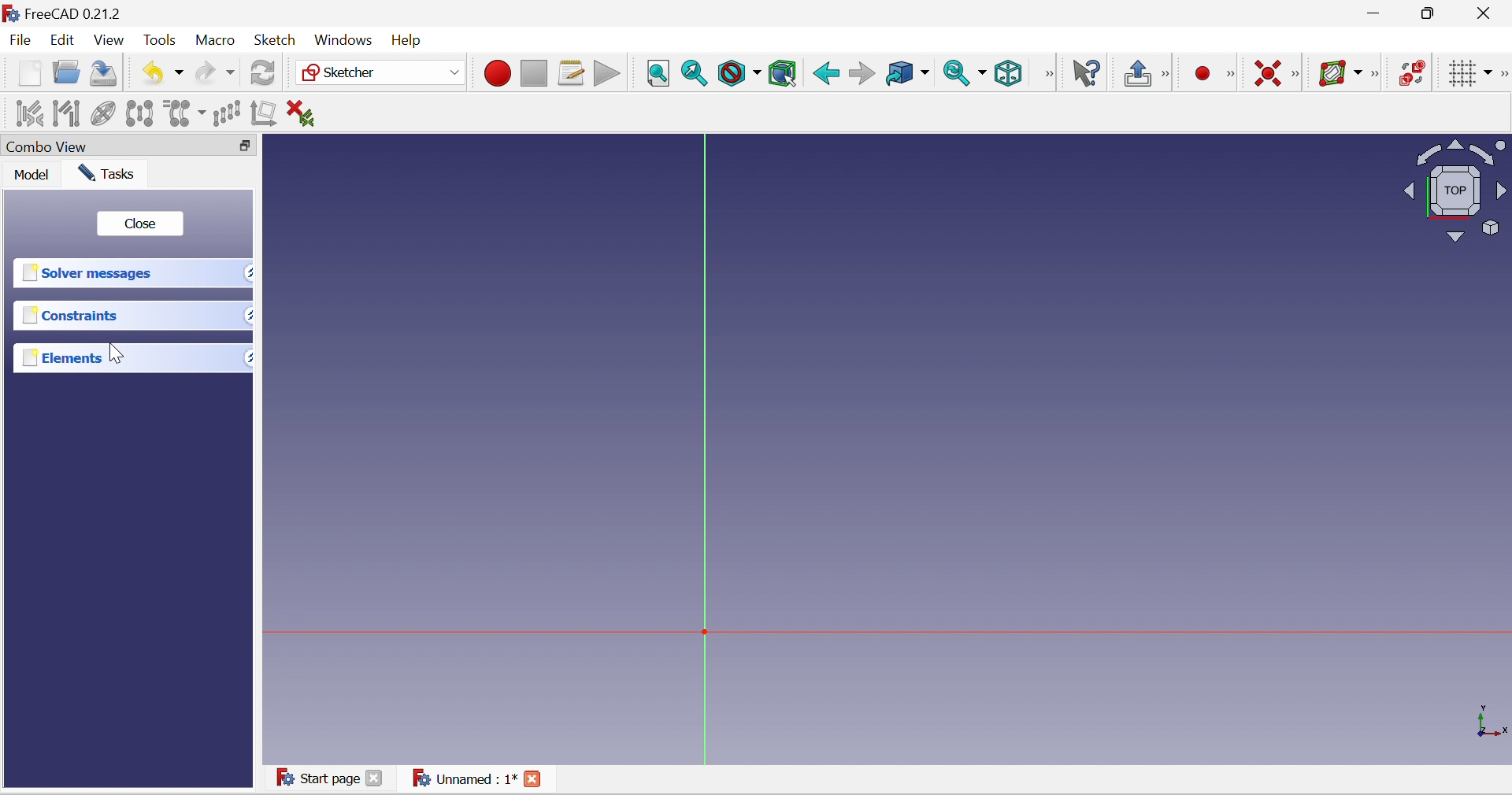  I want to click on Drop down, so click(248, 357).